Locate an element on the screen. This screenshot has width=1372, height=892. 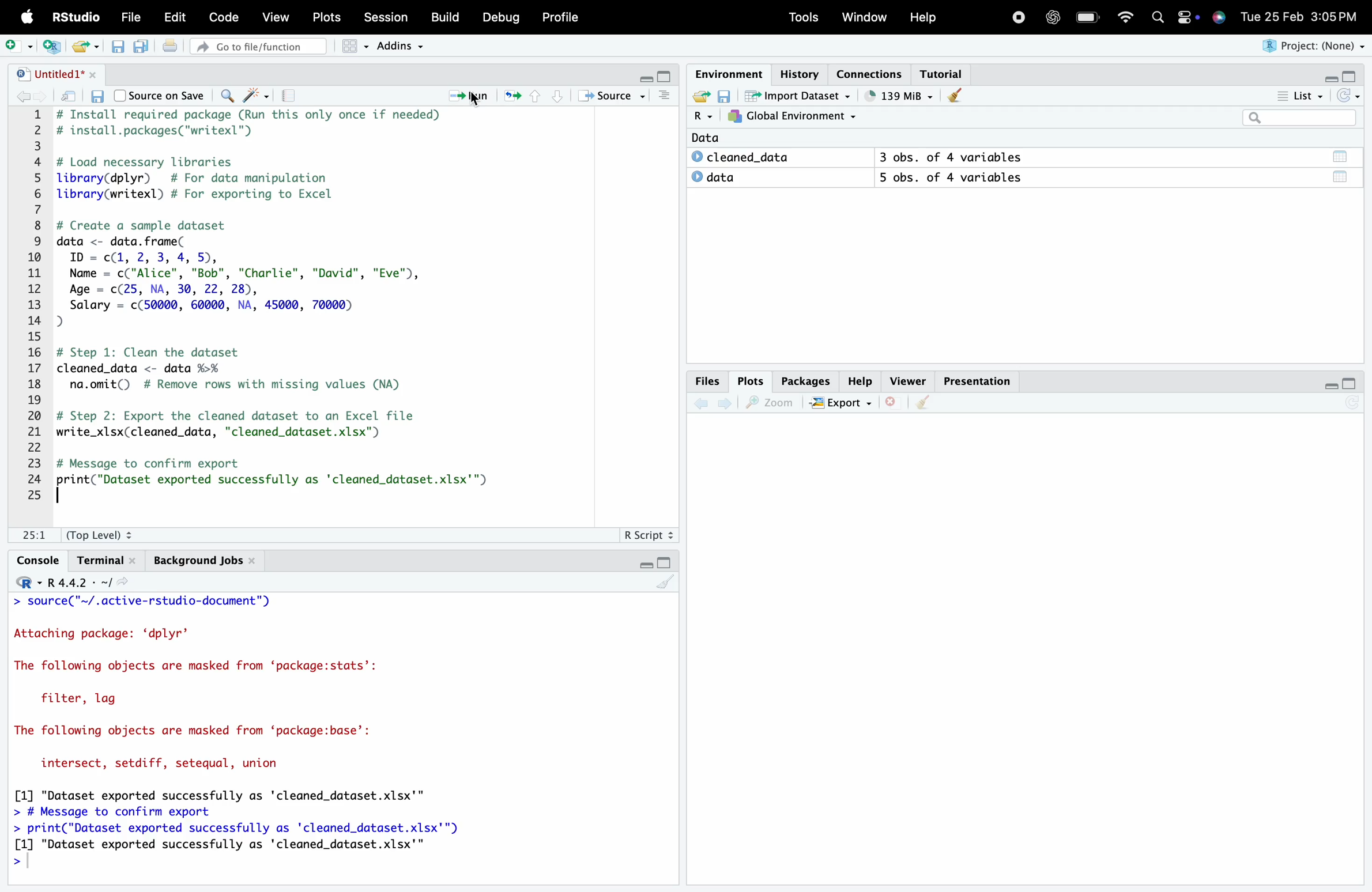
Print the current file is located at coordinates (170, 47).